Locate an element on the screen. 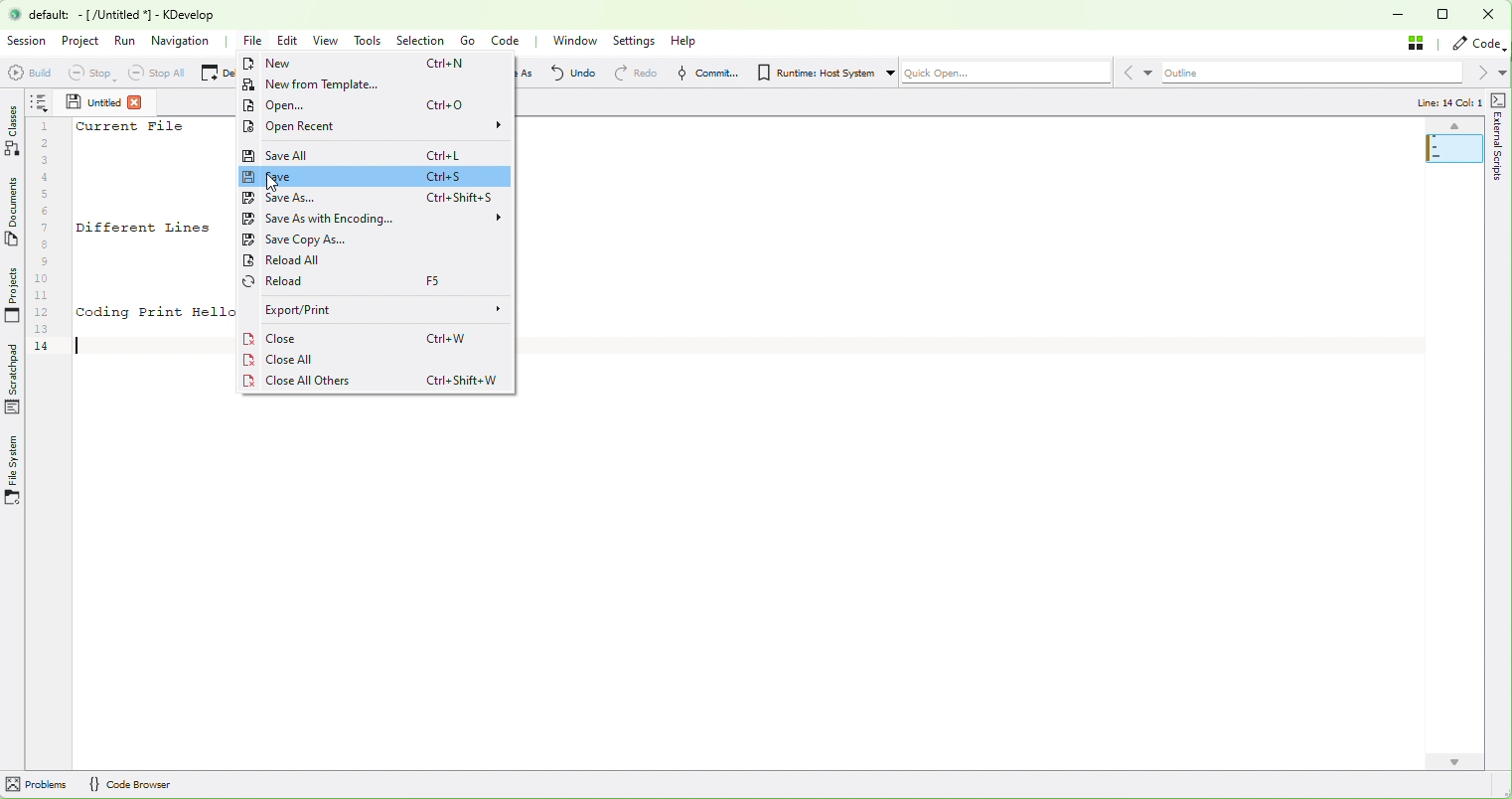  Quick Open... is located at coordinates (1030, 72).